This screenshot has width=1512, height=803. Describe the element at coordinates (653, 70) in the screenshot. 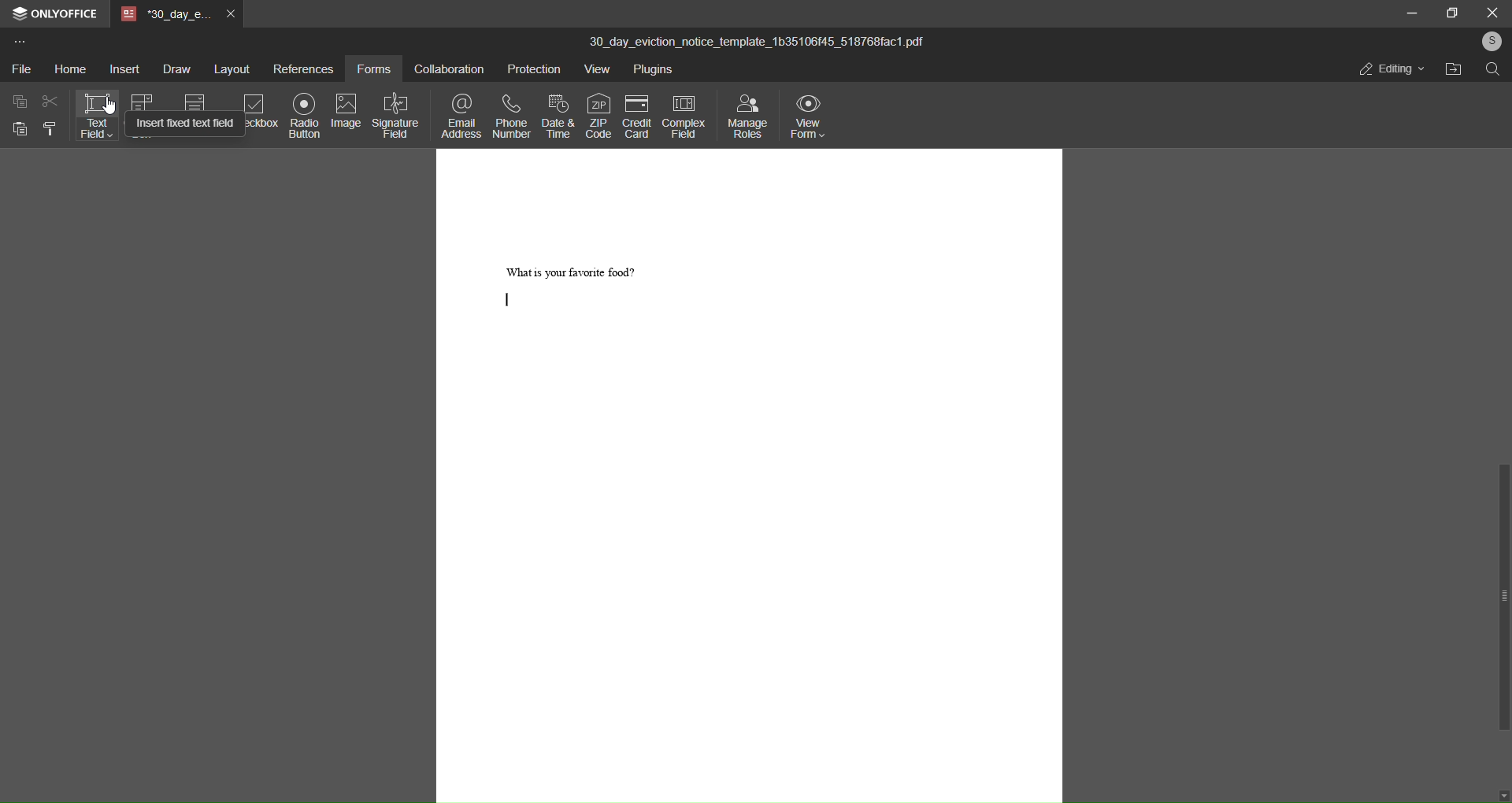

I see `plugins` at that location.